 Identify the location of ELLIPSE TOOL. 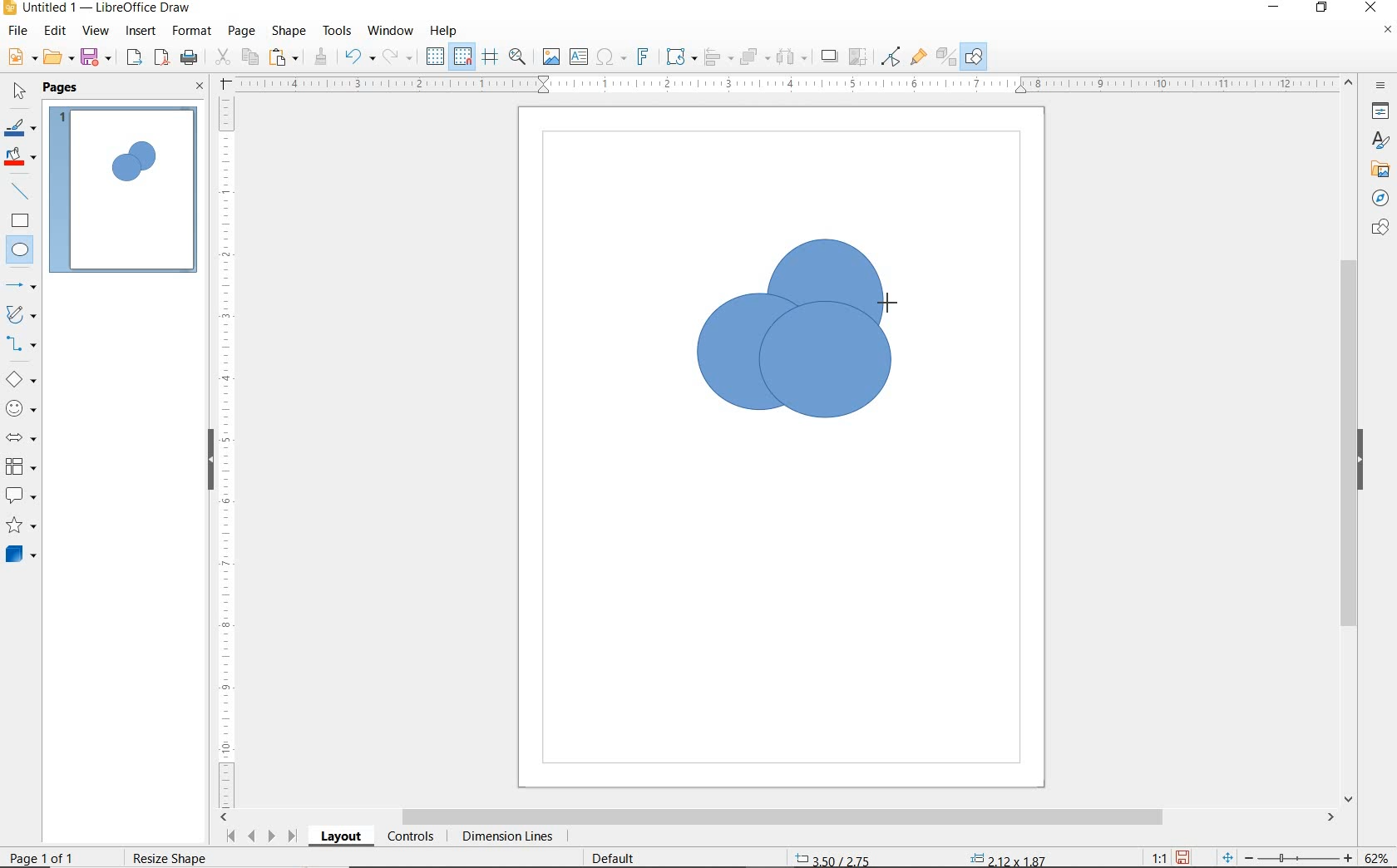
(770, 368).